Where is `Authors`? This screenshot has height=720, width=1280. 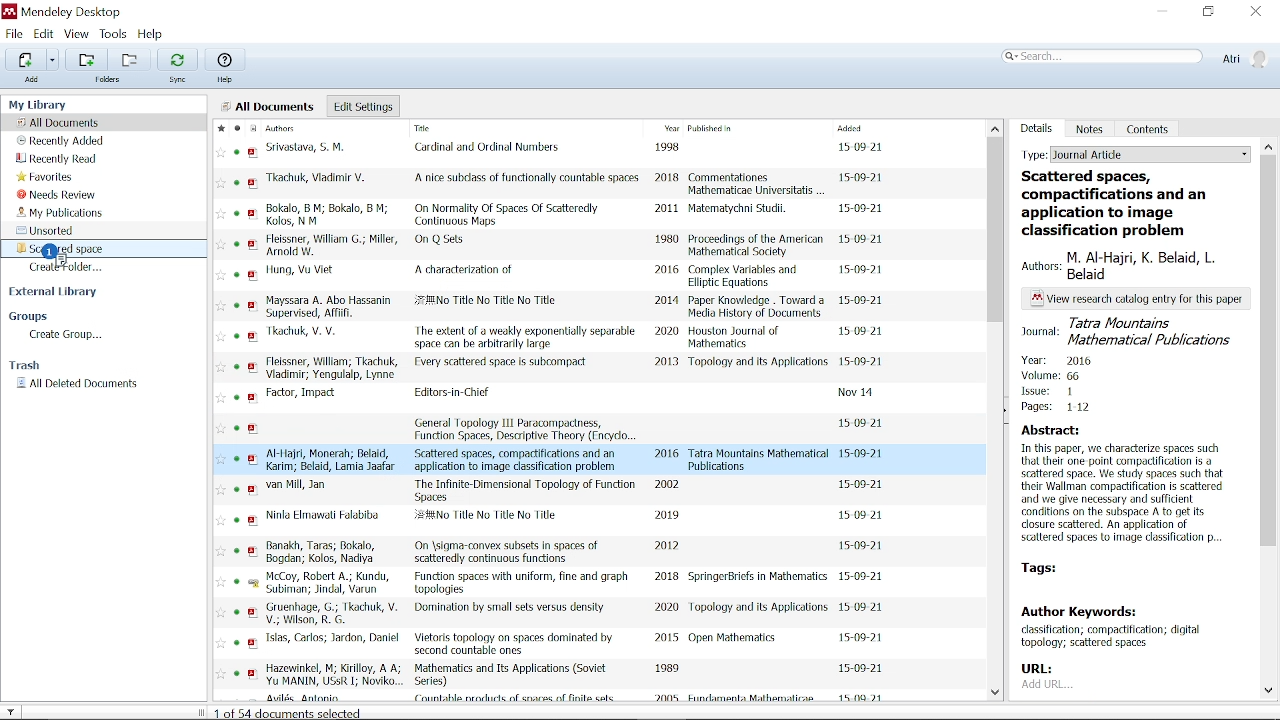 Authors is located at coordinates (297, 128).